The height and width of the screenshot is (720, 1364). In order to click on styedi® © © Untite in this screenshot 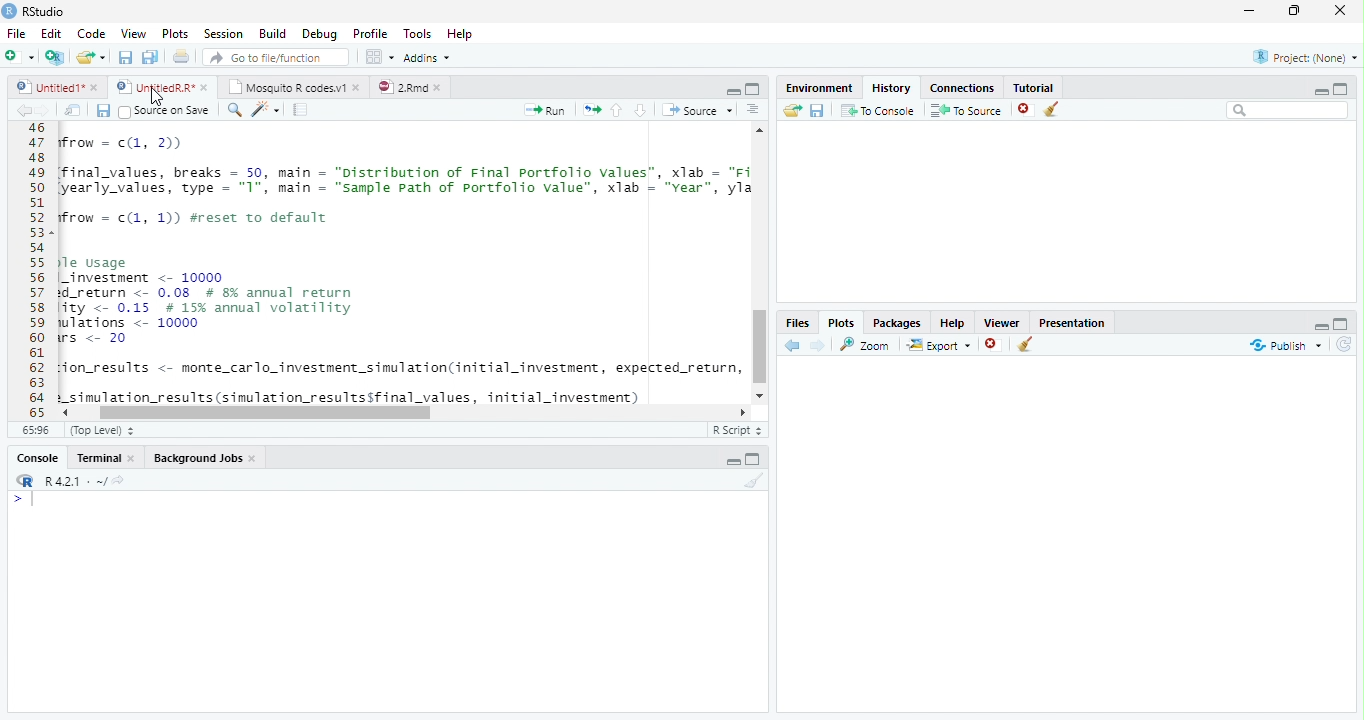, I will do `click(162, 87)`.